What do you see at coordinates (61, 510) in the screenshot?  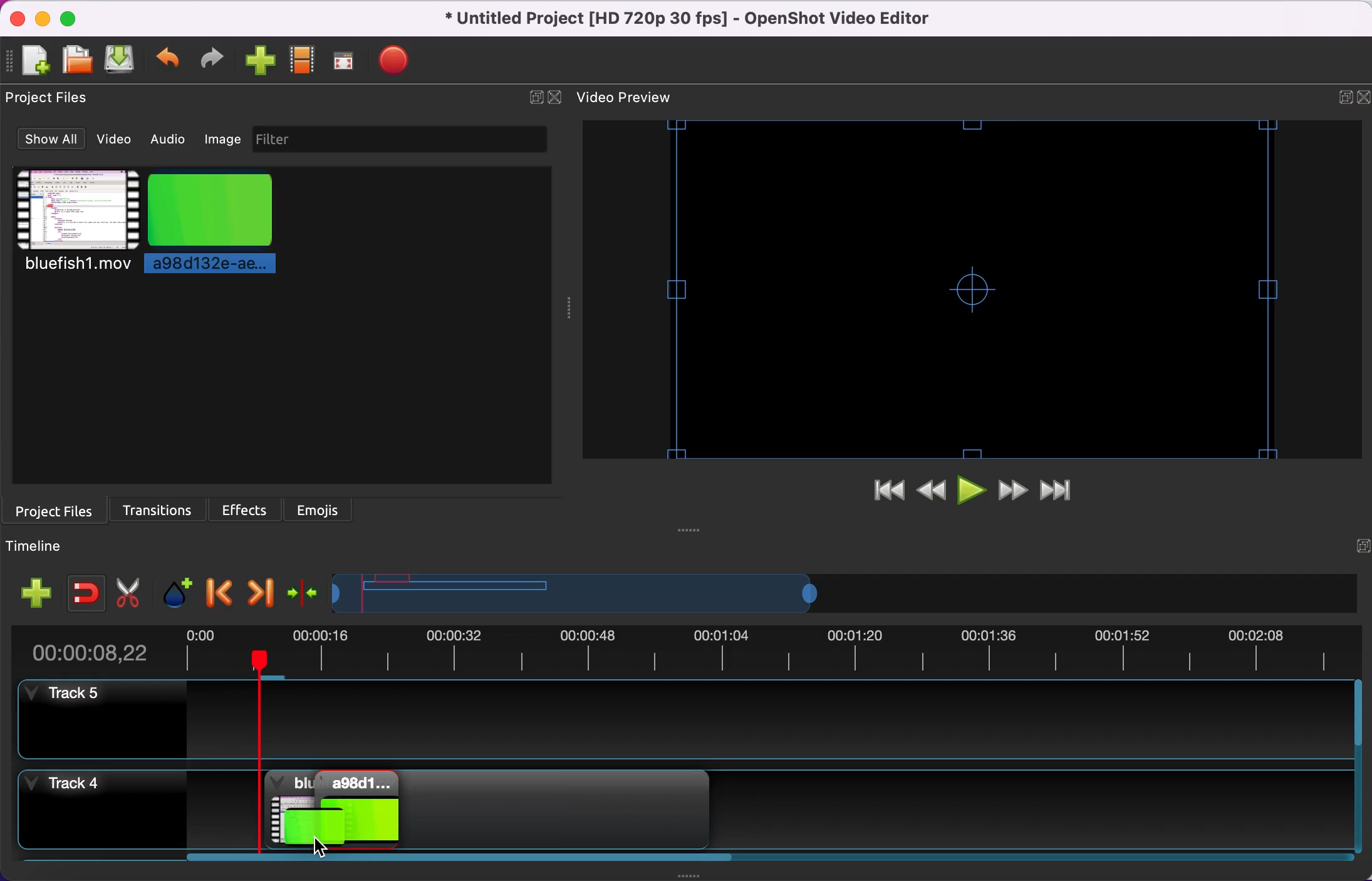 I see `project files` at bounding box center [61, 510].